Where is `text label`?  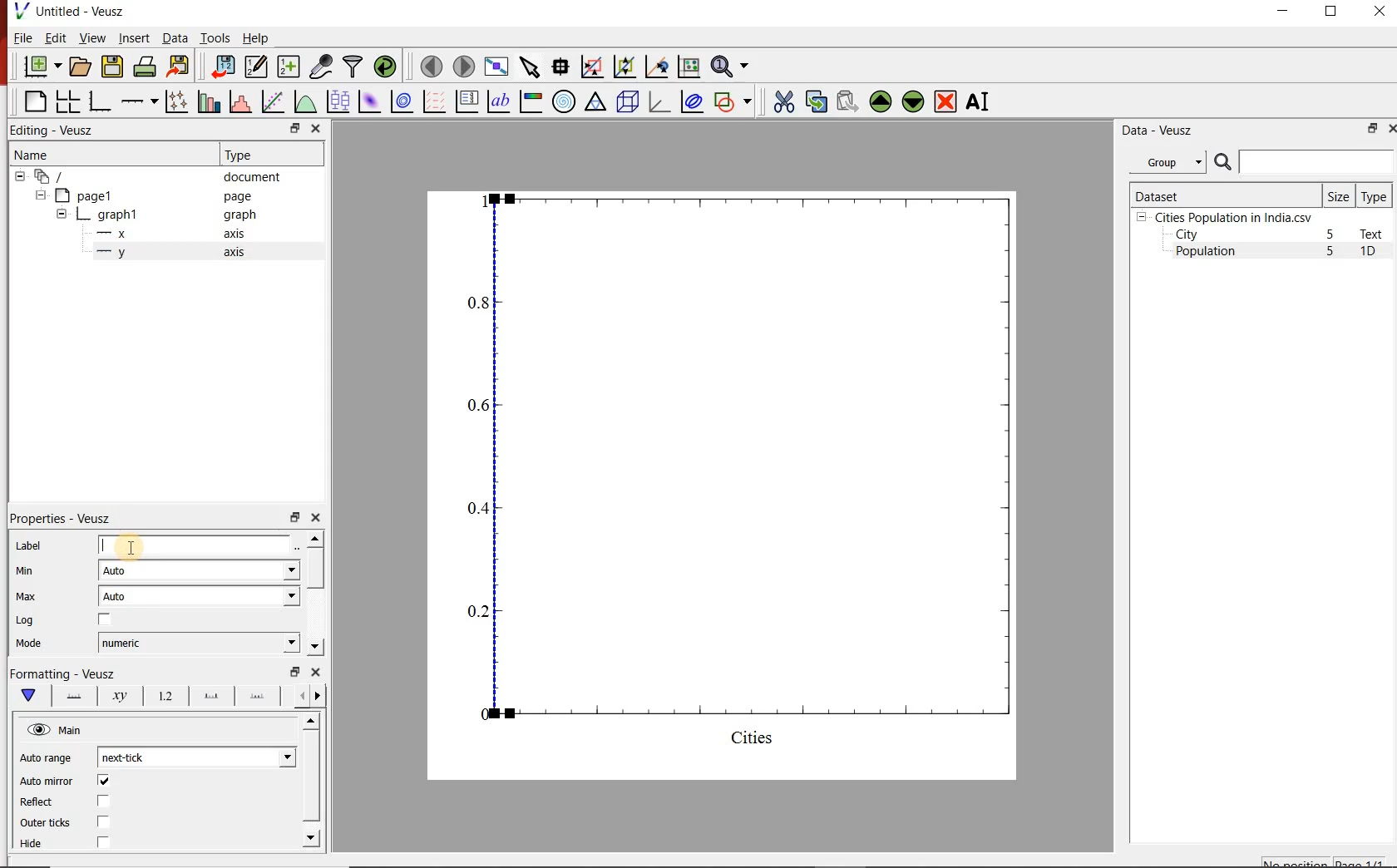
text label is located at coordinates (498, 101).